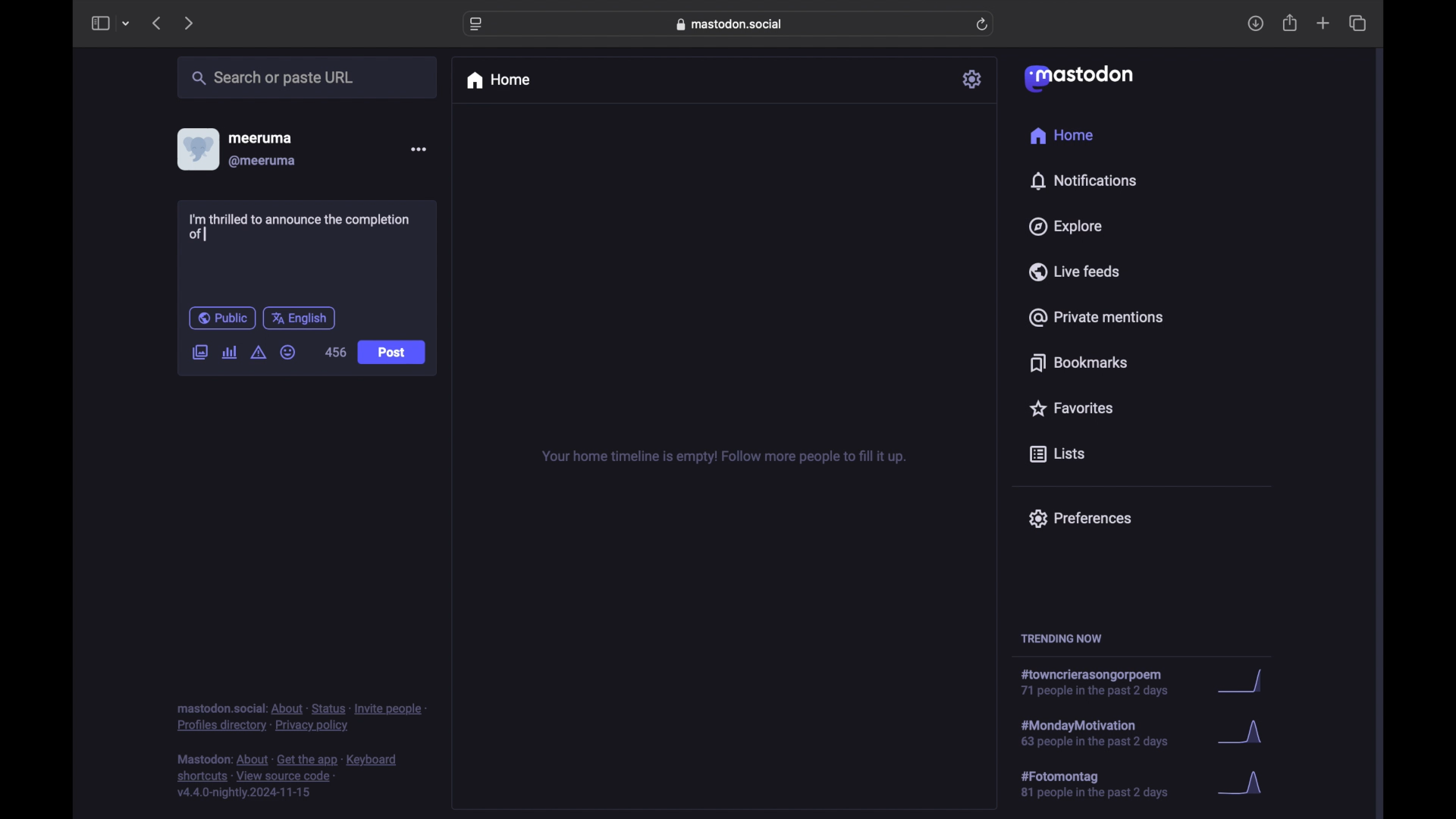 The image size is (1456, 819). Describe the element at coordinates (1066, 227) in the screenshot. I see `explore` at that location.